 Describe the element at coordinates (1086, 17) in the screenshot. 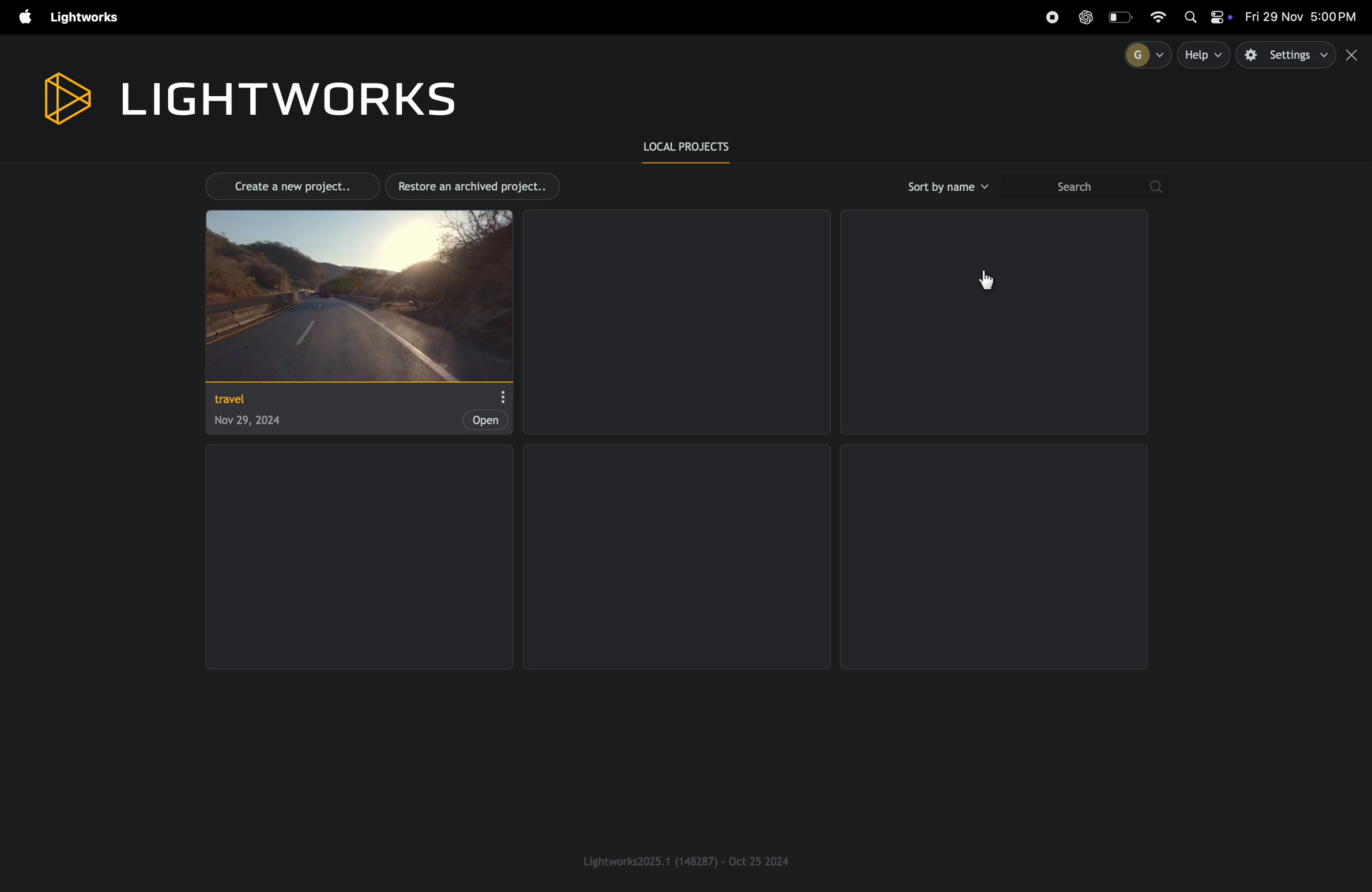

I see `chatgpt` at that location.